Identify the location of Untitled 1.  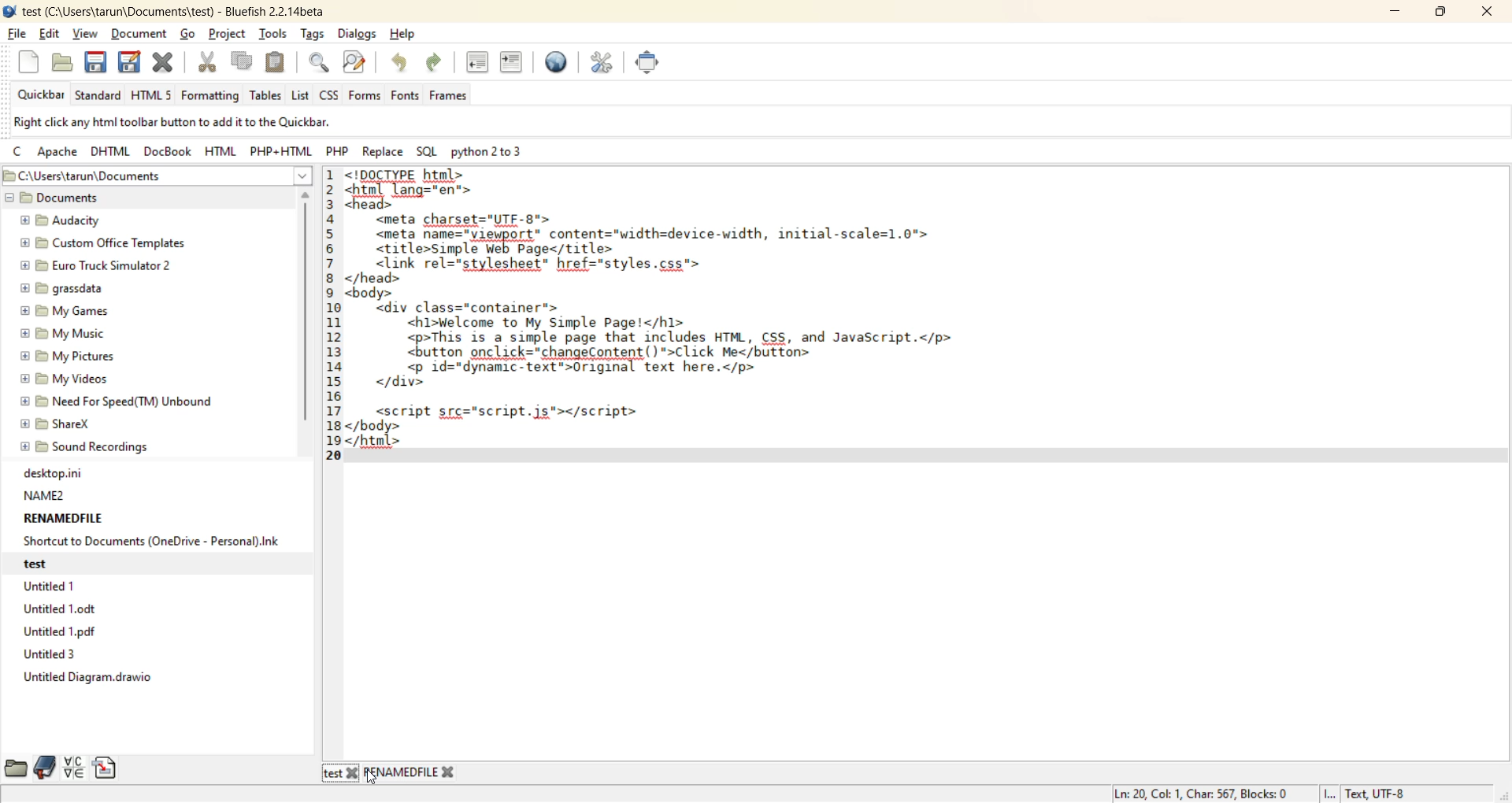
(54, 587).